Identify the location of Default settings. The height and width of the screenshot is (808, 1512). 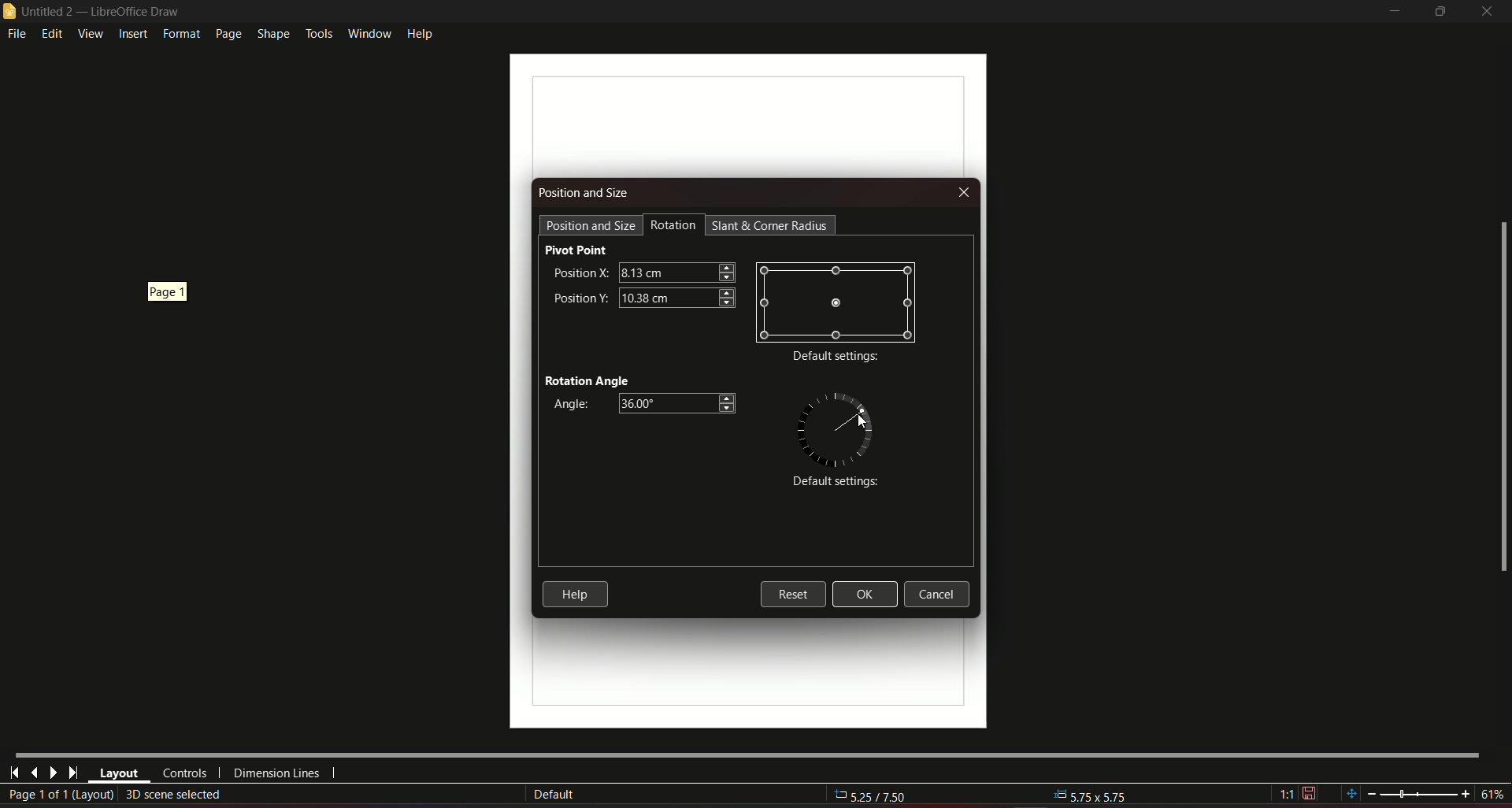
(836, 358).